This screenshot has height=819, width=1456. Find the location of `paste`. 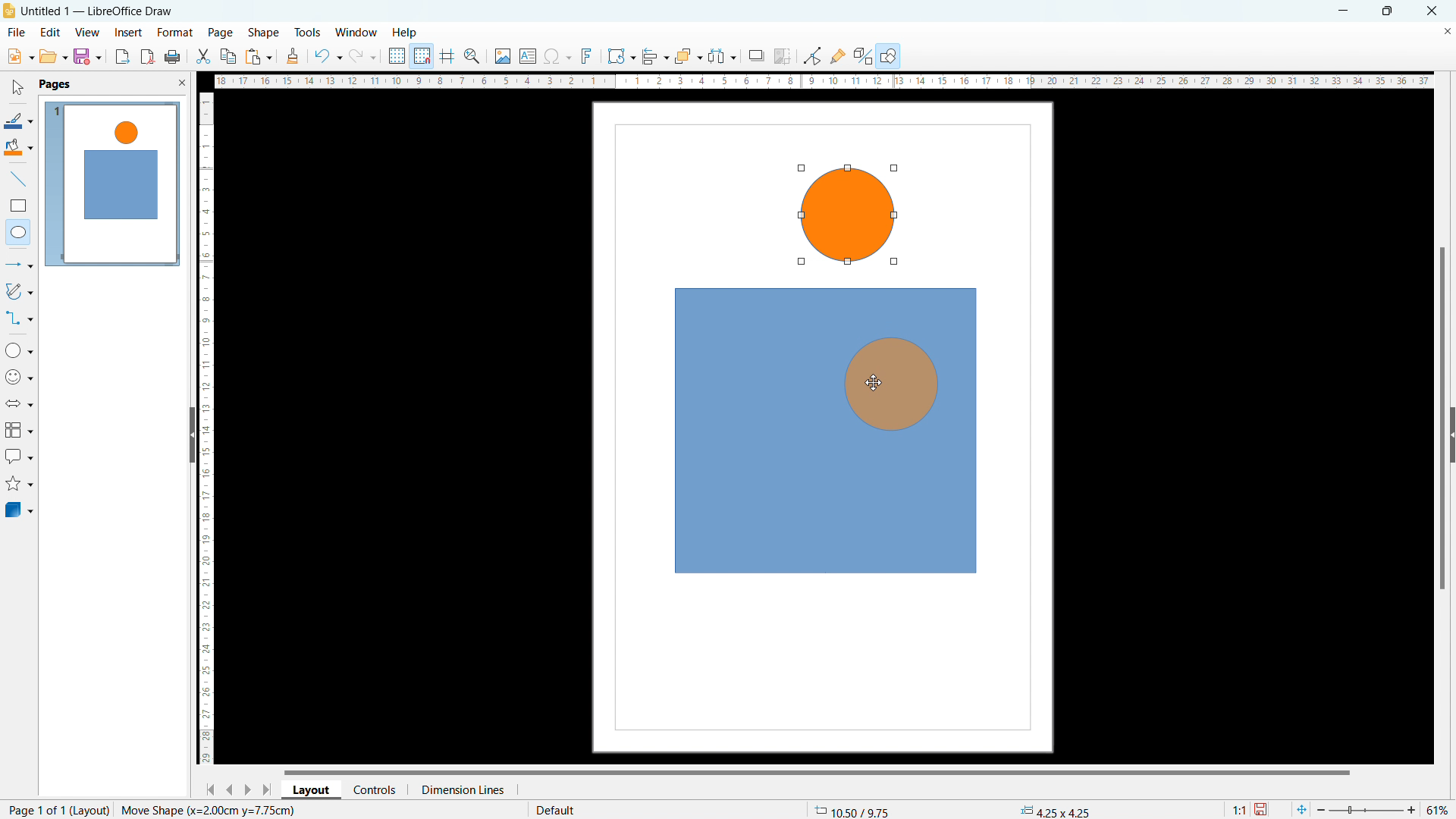

paste is located at coordinates (259, 56).